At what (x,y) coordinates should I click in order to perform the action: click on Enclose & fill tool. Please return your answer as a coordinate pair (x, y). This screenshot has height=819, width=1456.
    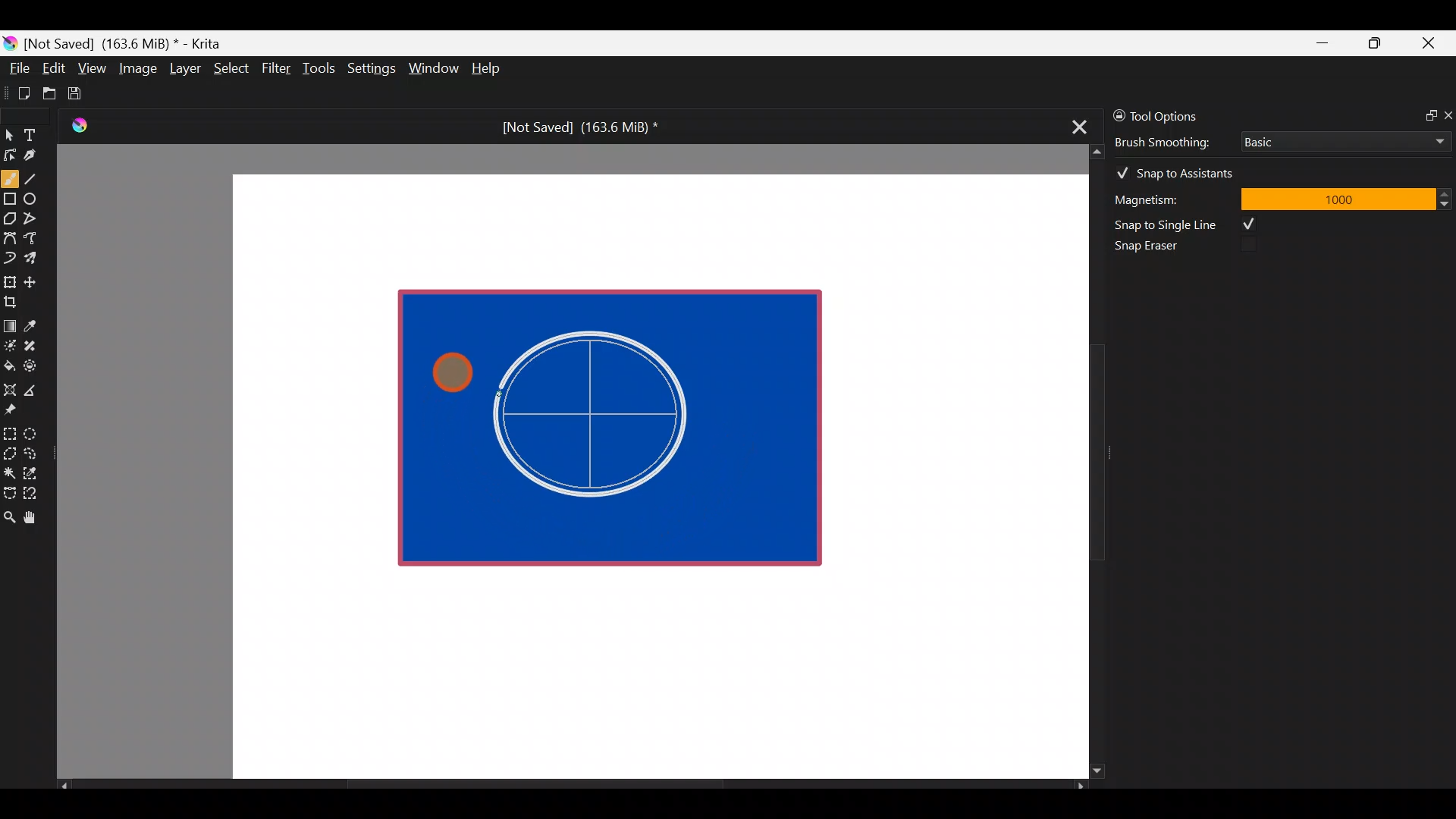
    Looking at the image, I should click on (33, 363).